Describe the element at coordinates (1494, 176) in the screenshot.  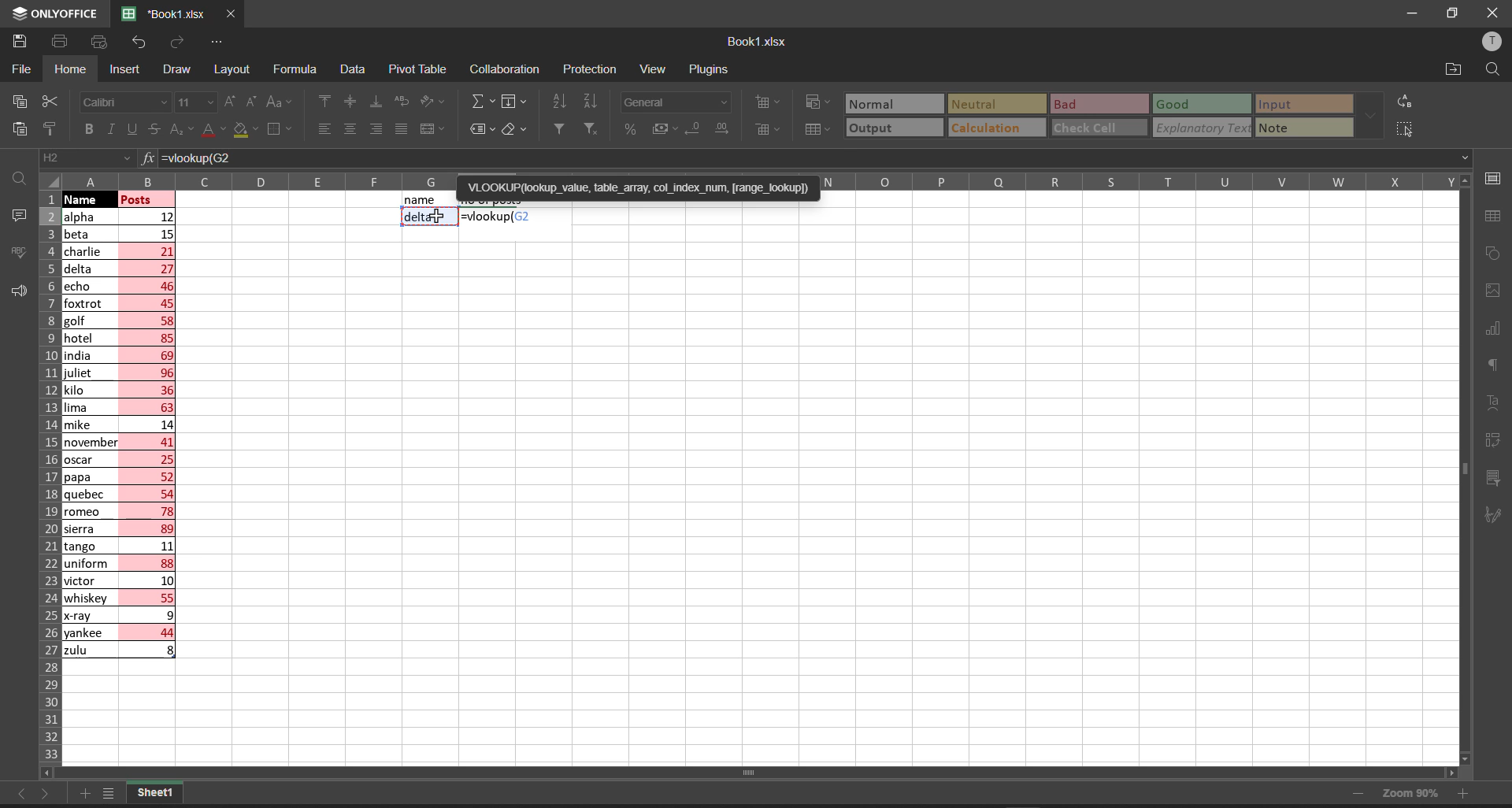
I see `cell settings` at that location.